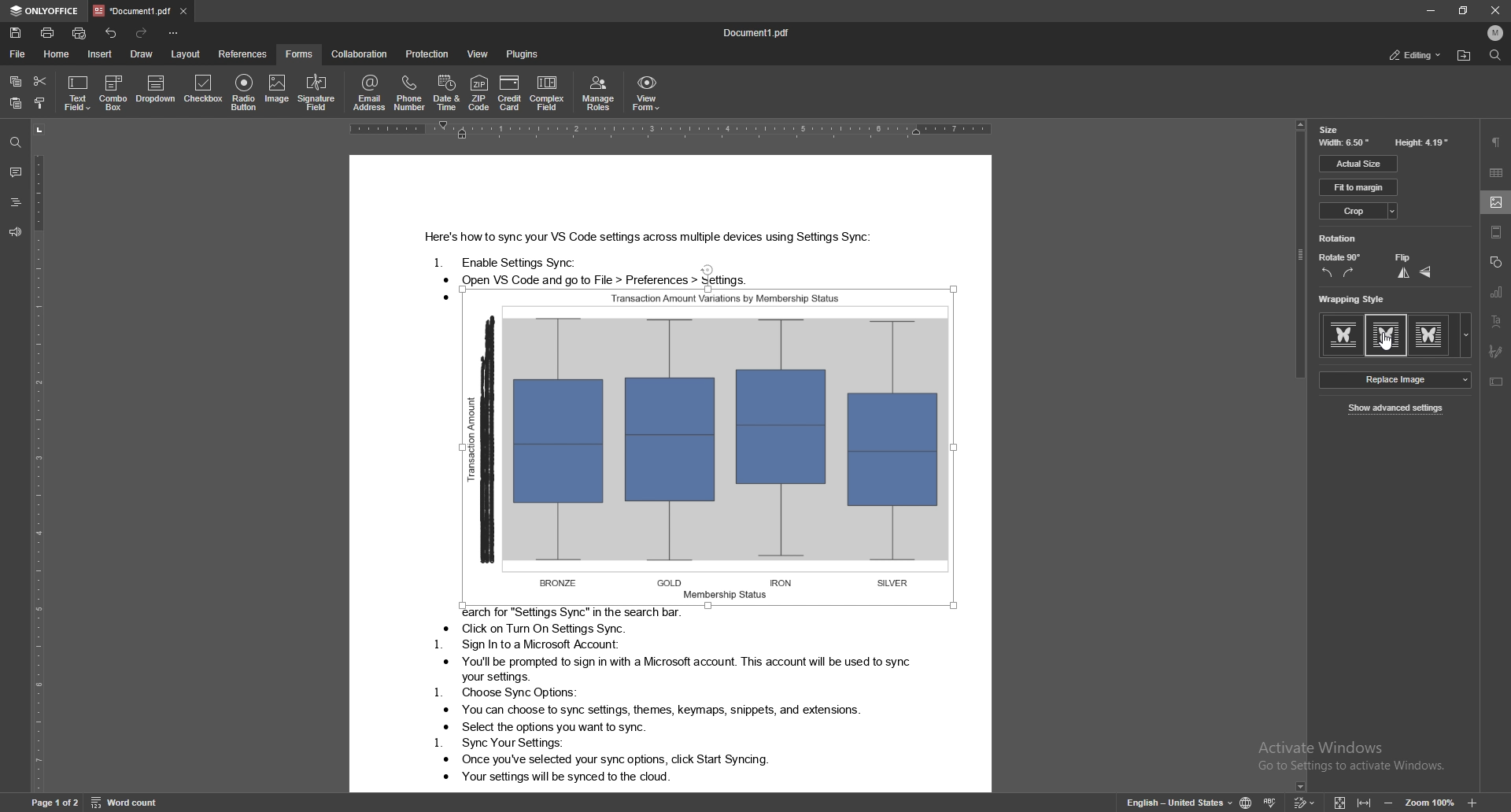 The image size is (1511, 812). What do you see at coordinates (1387, 334) in the screenshot?
I see `square` at bounding box center [1387, 334].